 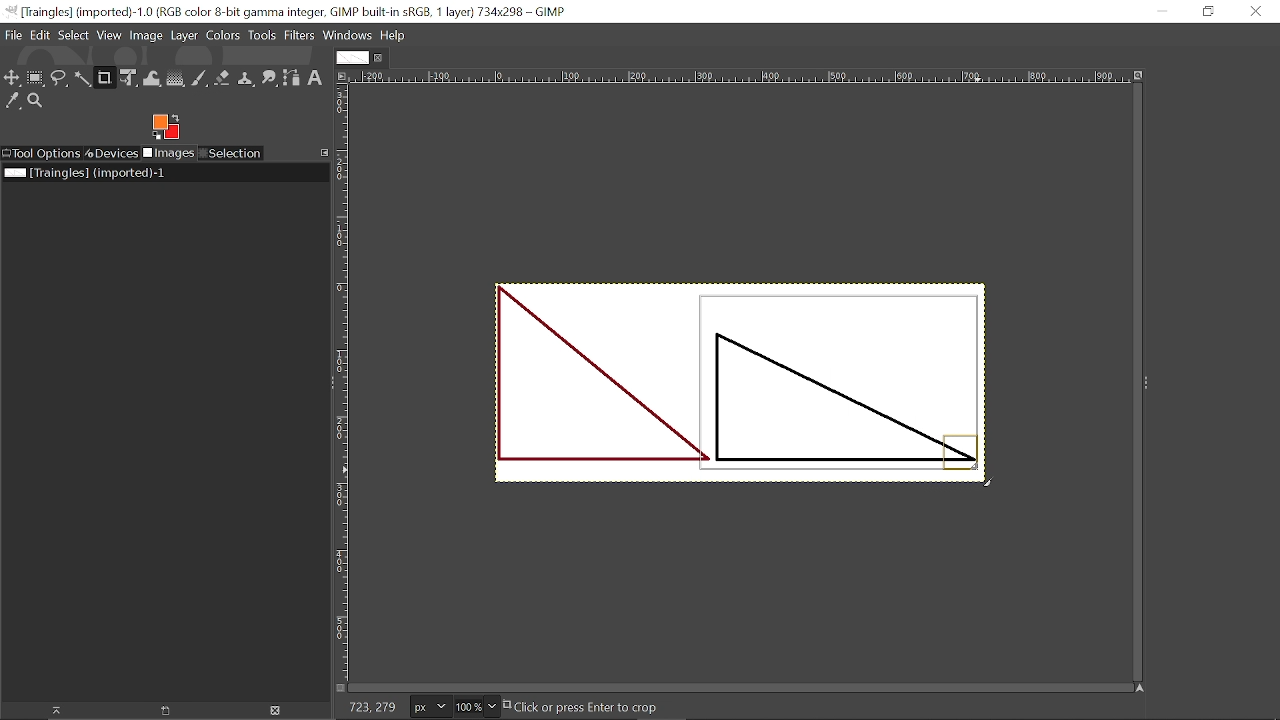 What do you see at coordinates (1141, 688) in the screenshot?
I see `Navigate the image display` at bounding box center [1141, 688].